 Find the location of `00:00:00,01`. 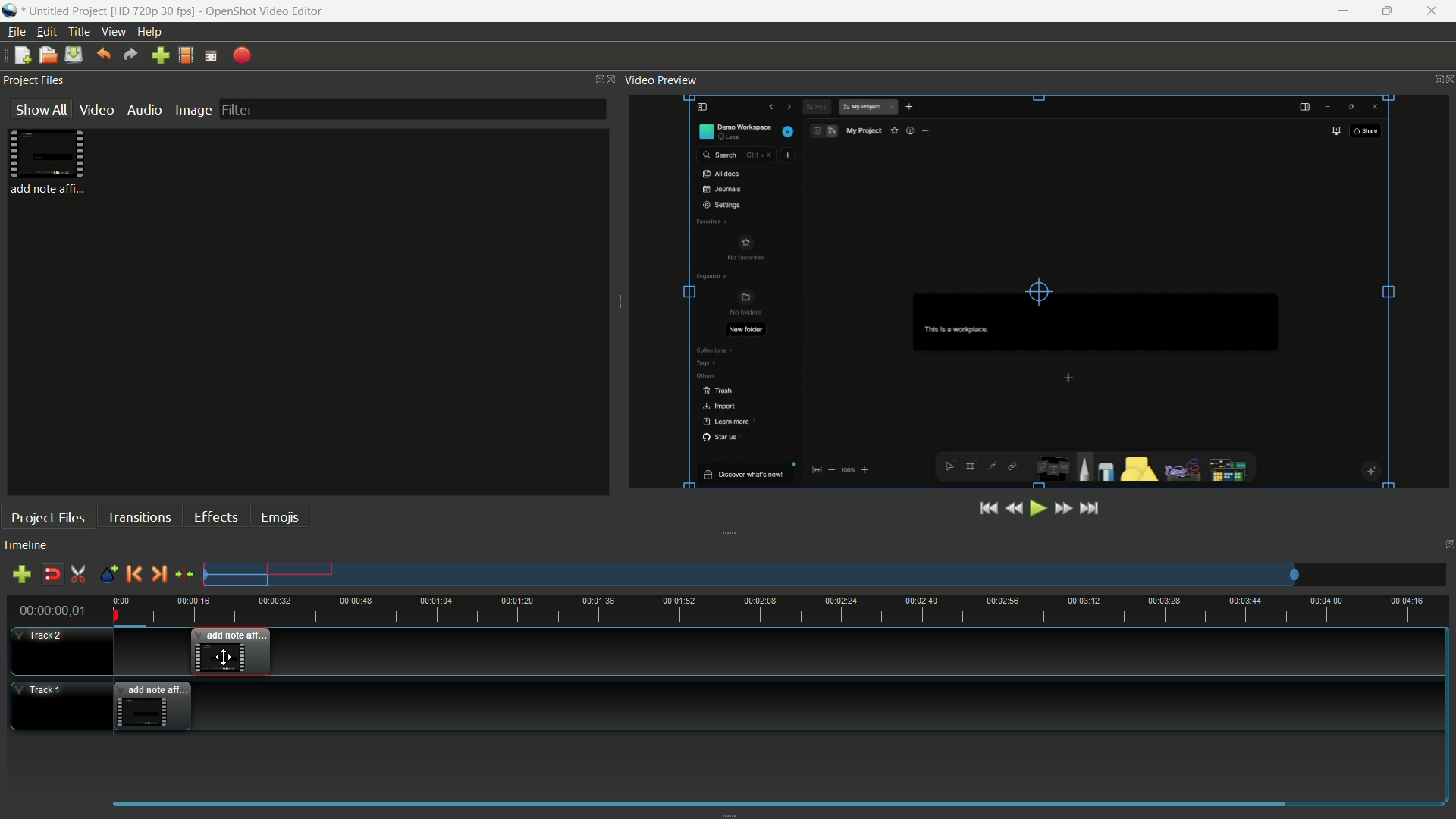

00:00:00,01 is located at coordinates (53, 609).